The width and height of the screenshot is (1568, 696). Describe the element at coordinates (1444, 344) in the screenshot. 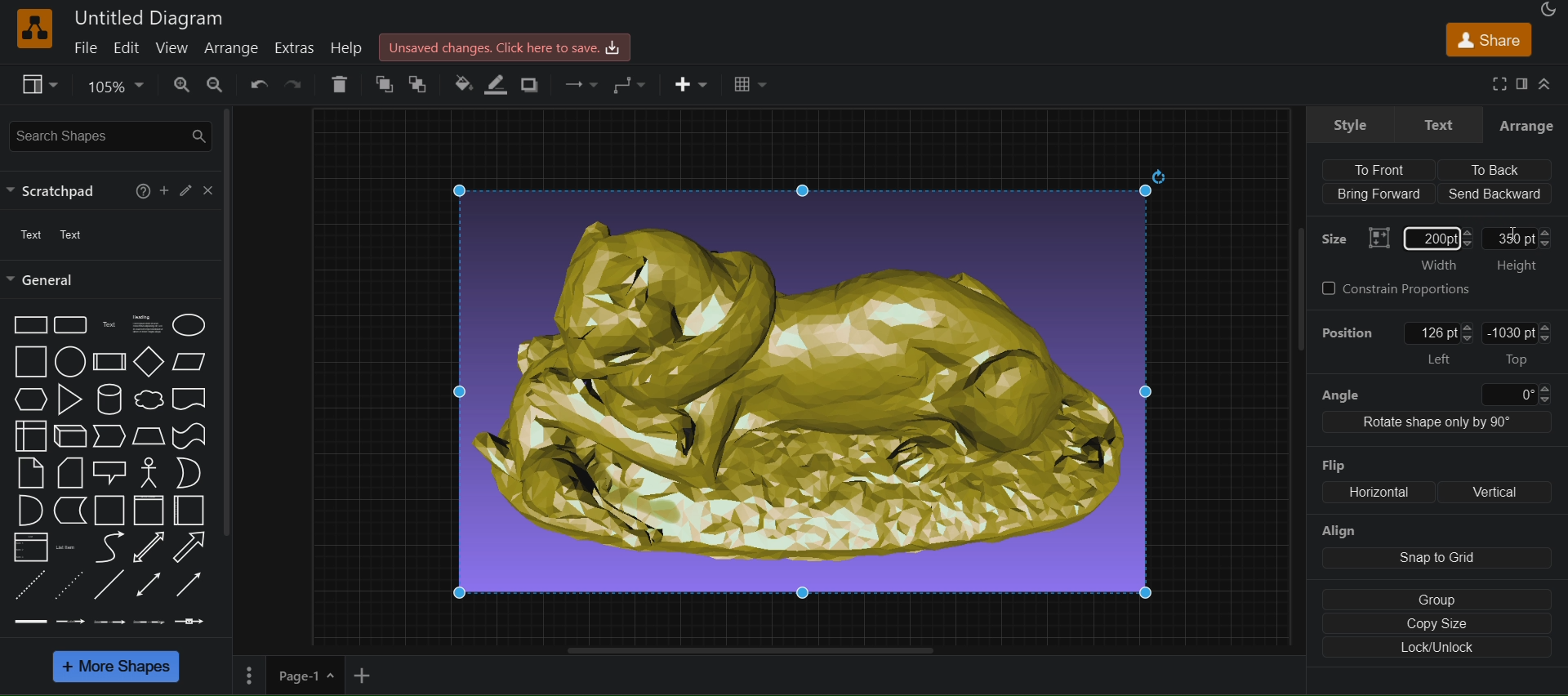

I see `position: left: 126 pt` at that location.